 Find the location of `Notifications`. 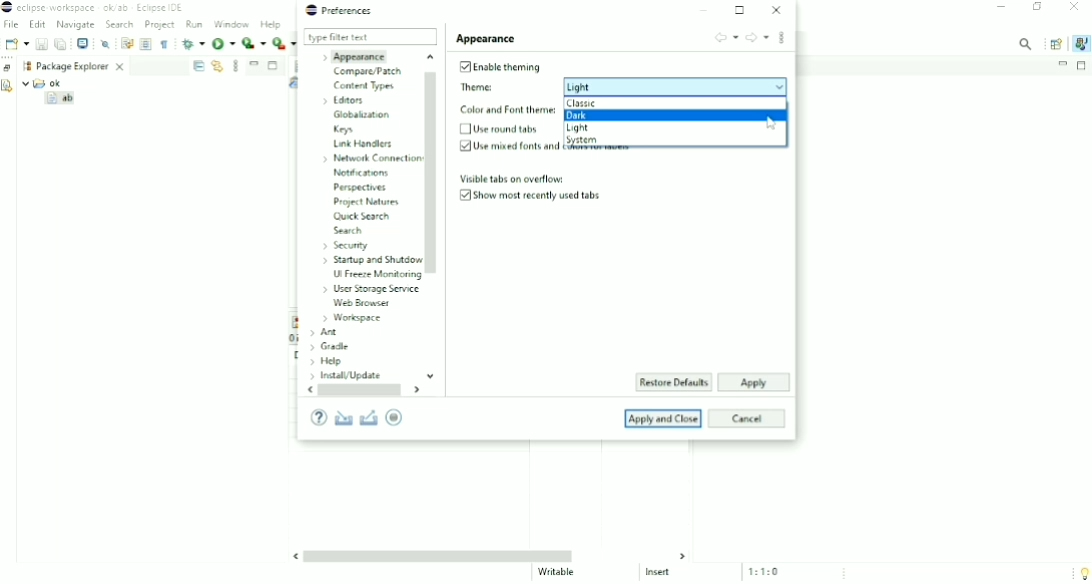

Notifications is located at coordinates (363, 174).